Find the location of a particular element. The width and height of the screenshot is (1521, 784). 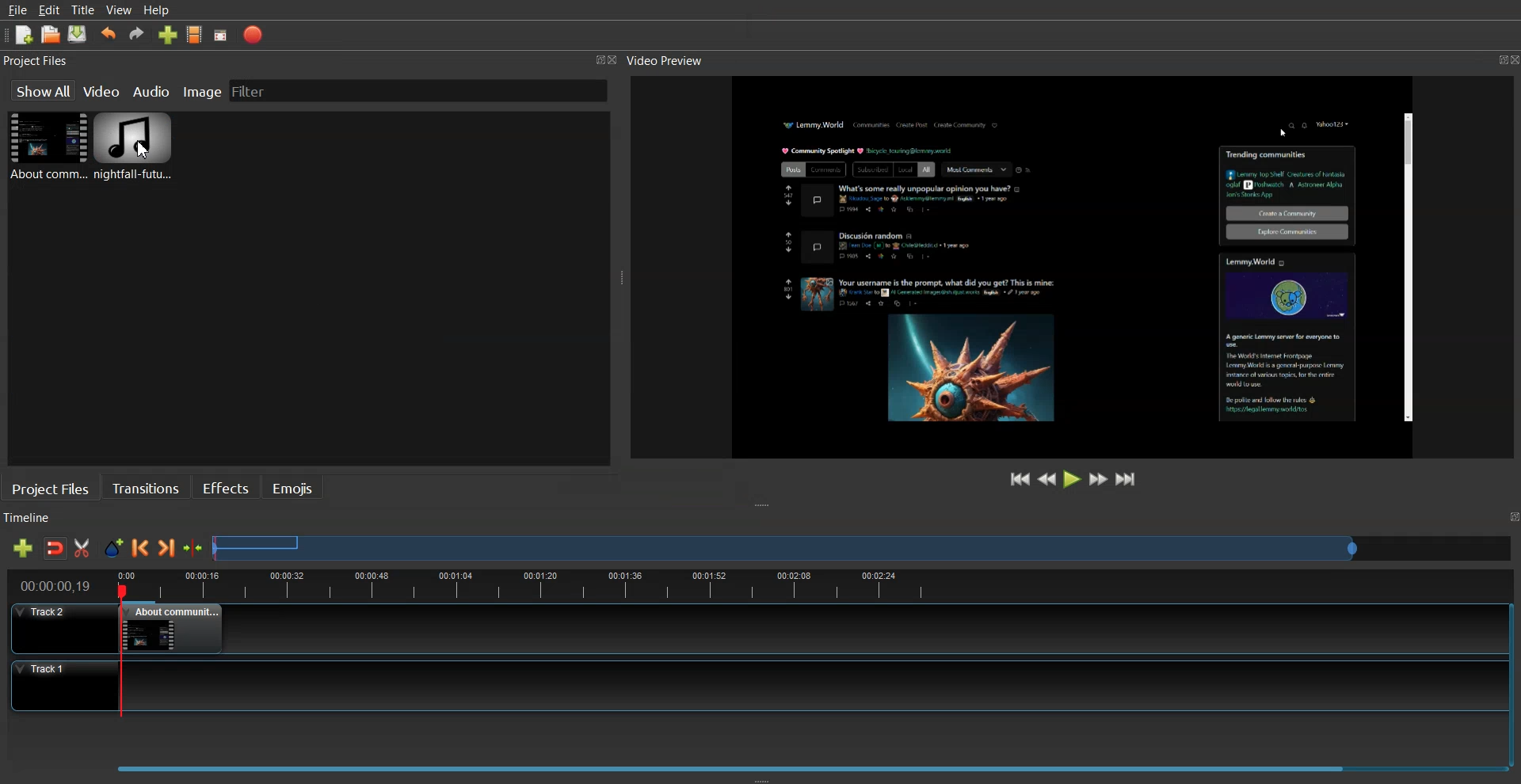

Slider is located at coordinates (863, 547).